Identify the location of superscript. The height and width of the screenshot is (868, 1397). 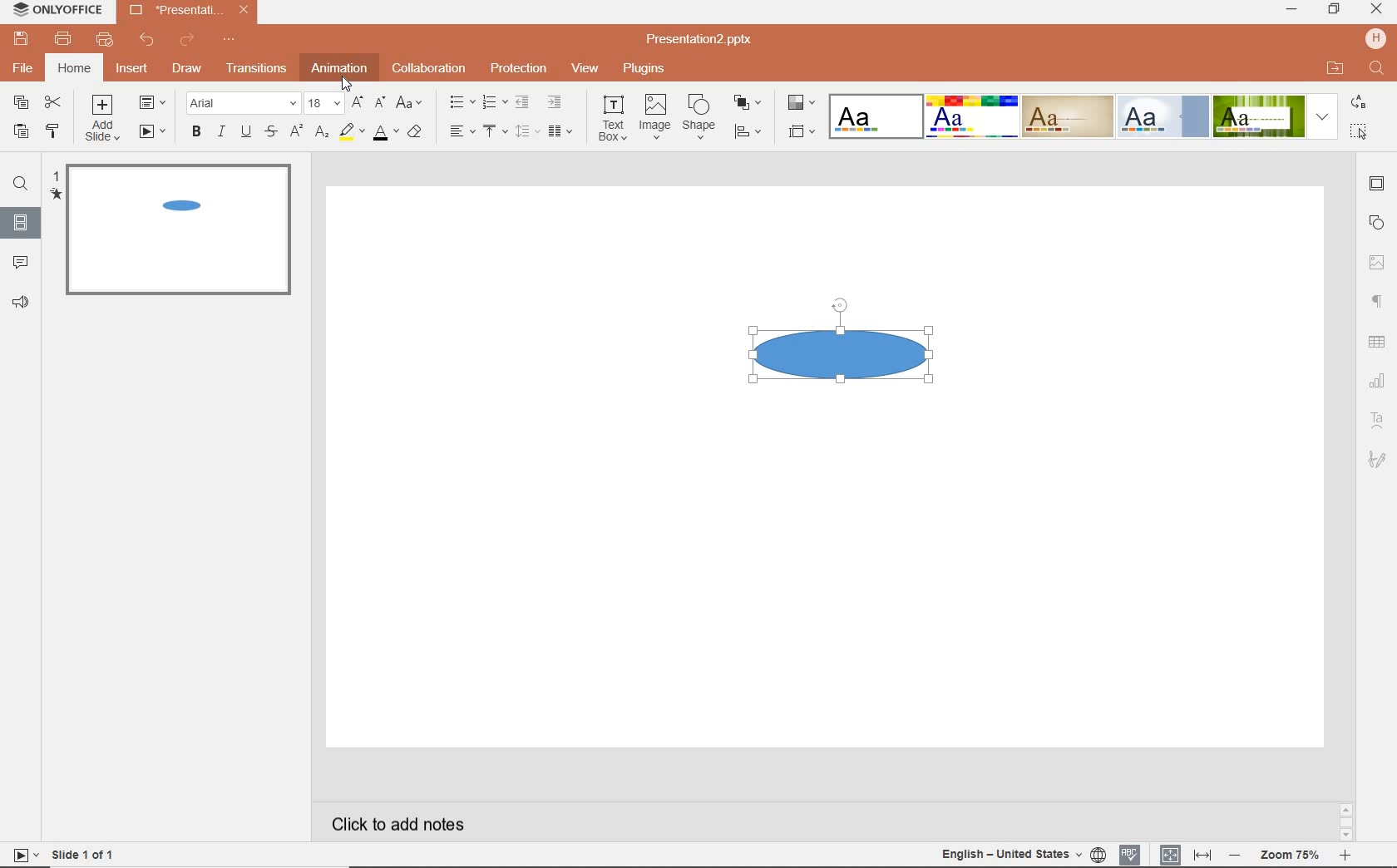
(295, 133).